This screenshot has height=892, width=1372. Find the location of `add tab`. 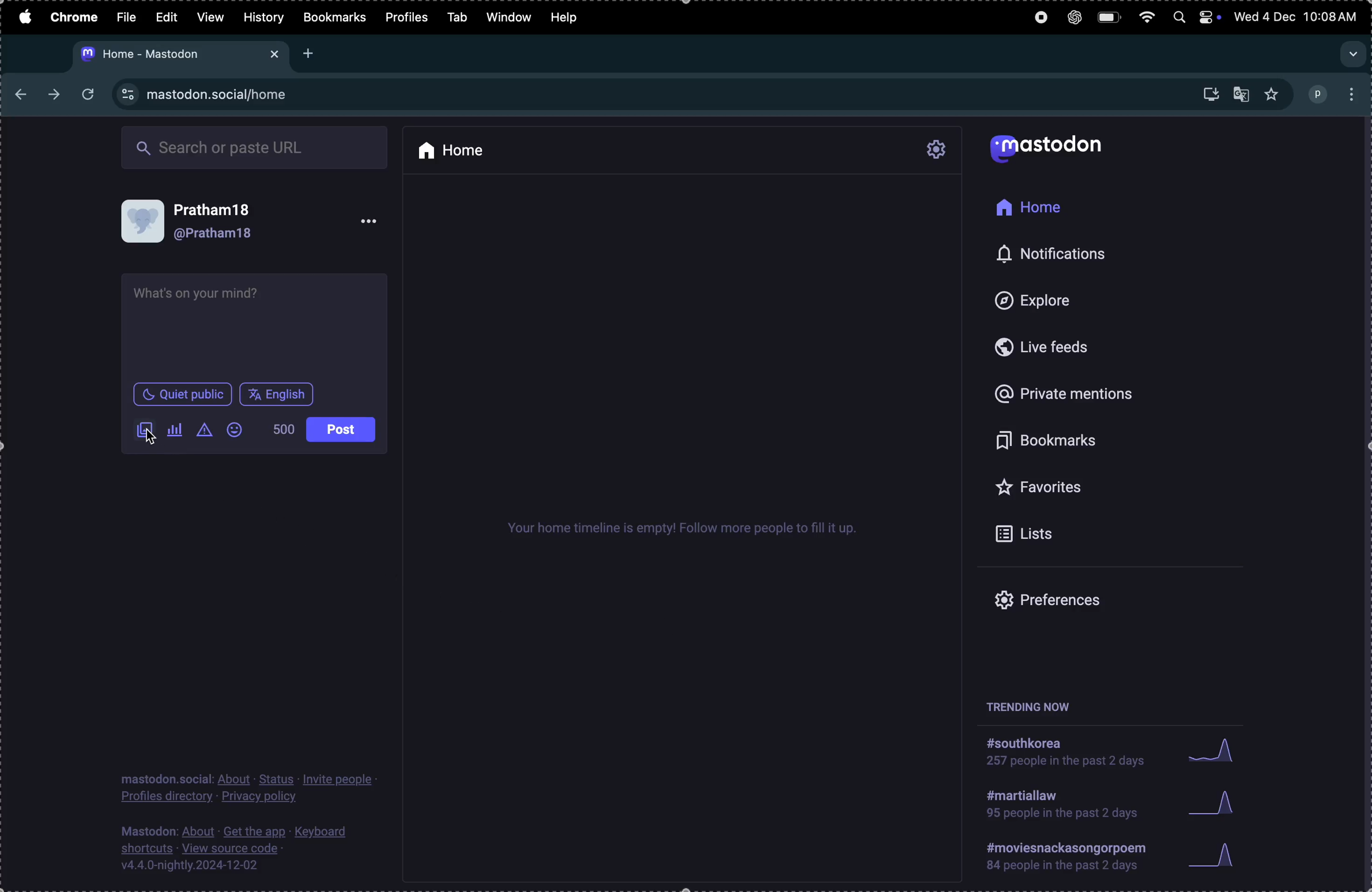

add tab is located at coordinates (309, 53).